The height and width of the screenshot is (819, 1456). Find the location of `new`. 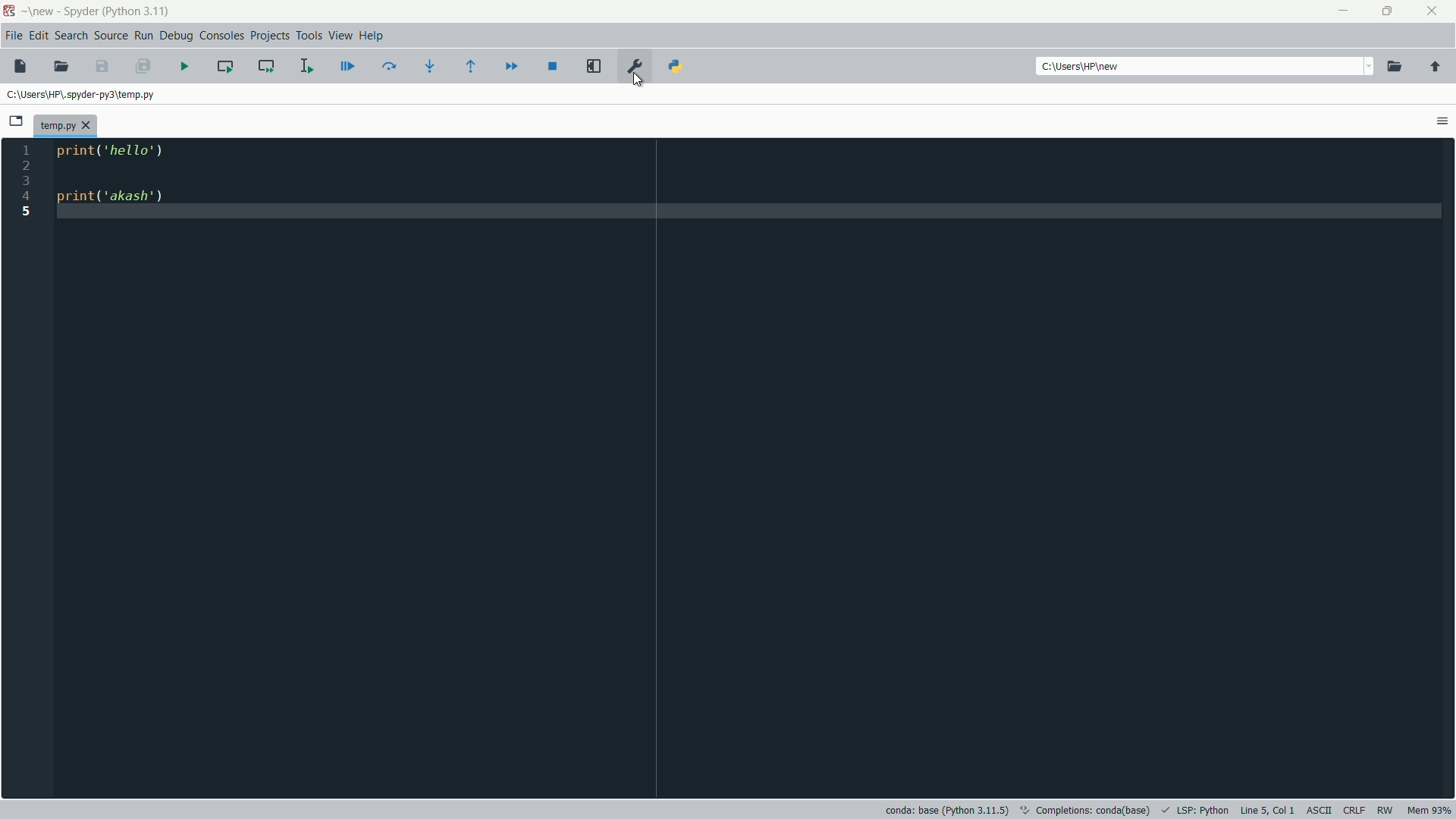

new is located at coordinates (42, 11).